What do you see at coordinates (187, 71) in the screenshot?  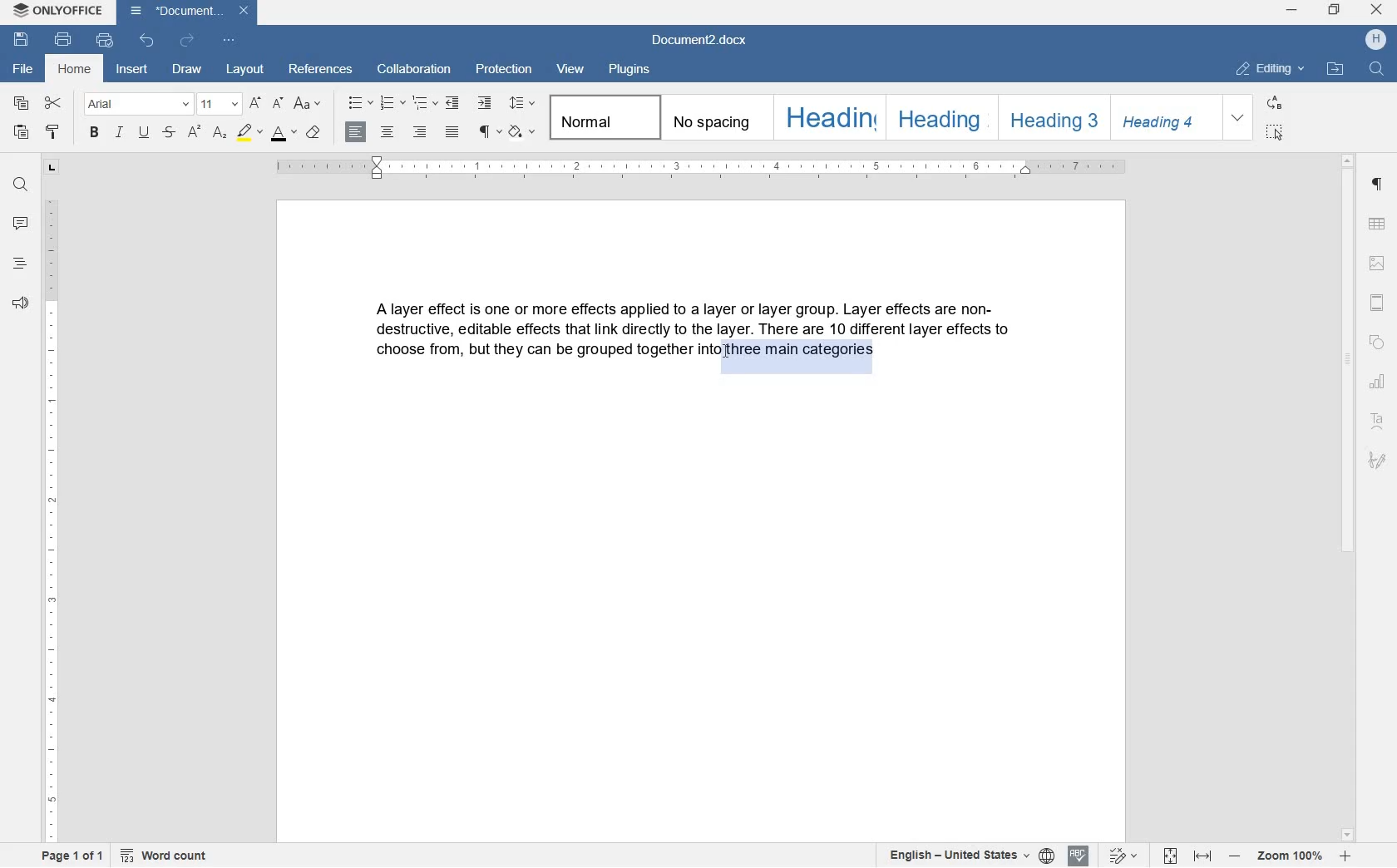 I see `draw` at bounding box center [187, 71].